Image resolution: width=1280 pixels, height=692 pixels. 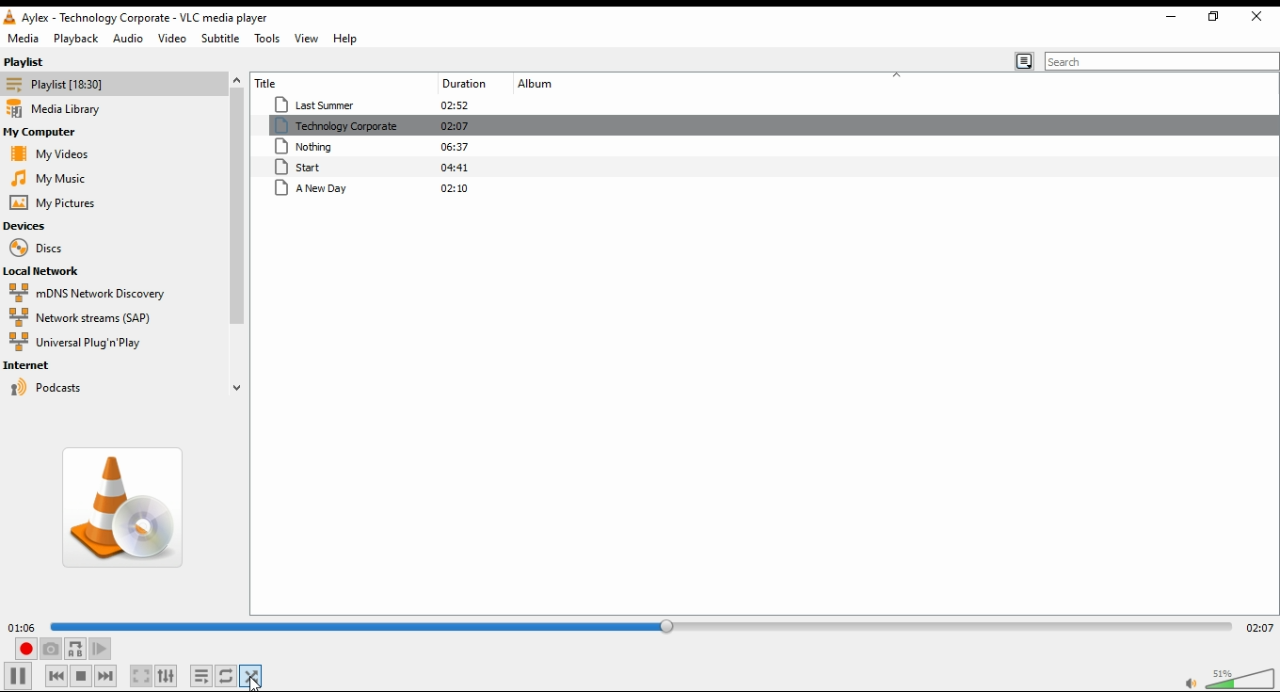 What do you see at coordinates (43, 272) in the screenshot?
I see `local network` at bounding box center [43, 272].